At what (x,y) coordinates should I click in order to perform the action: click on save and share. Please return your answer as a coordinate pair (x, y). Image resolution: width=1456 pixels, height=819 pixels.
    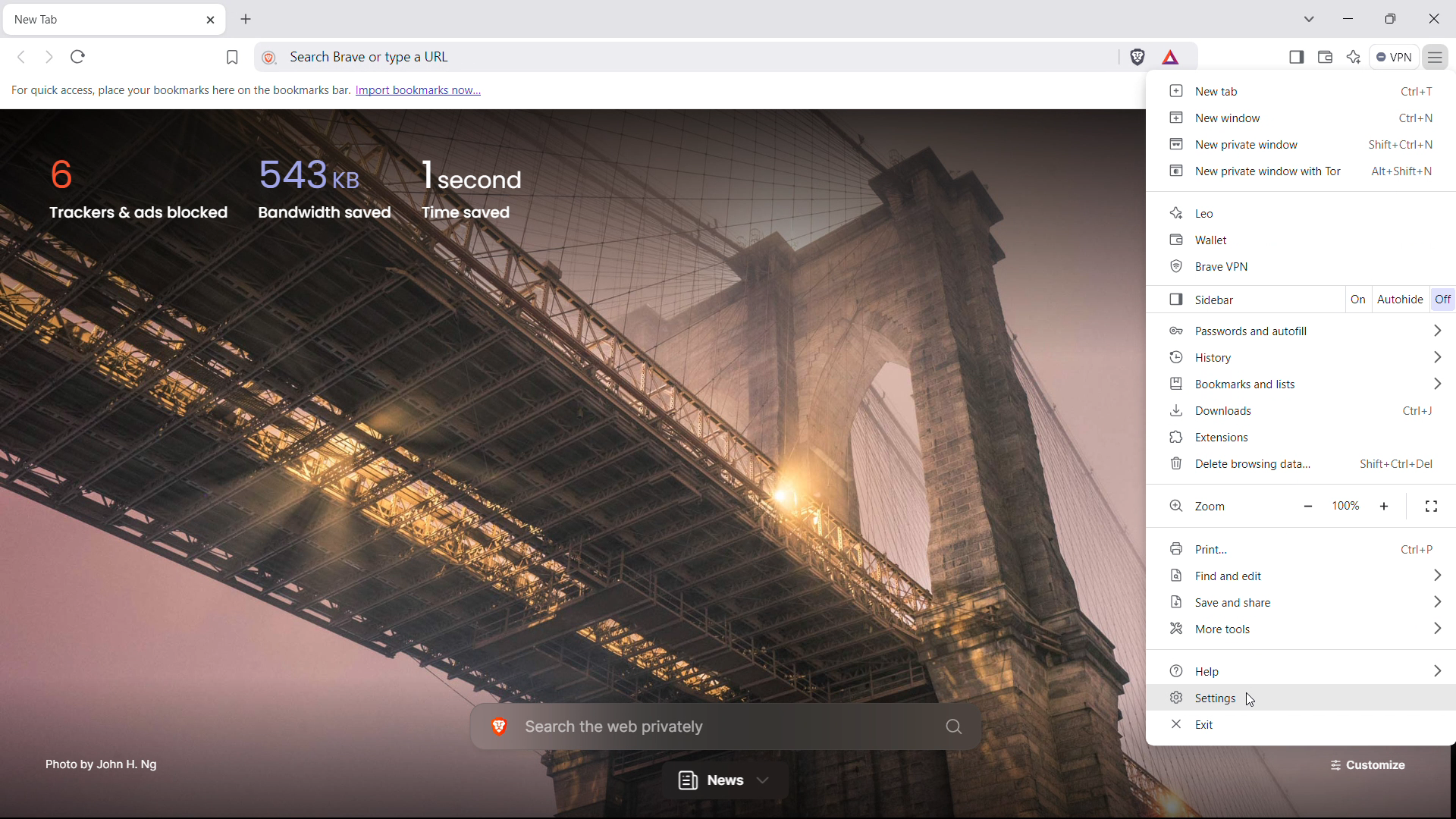
    Looking at the image, I should click on (1301, 602).